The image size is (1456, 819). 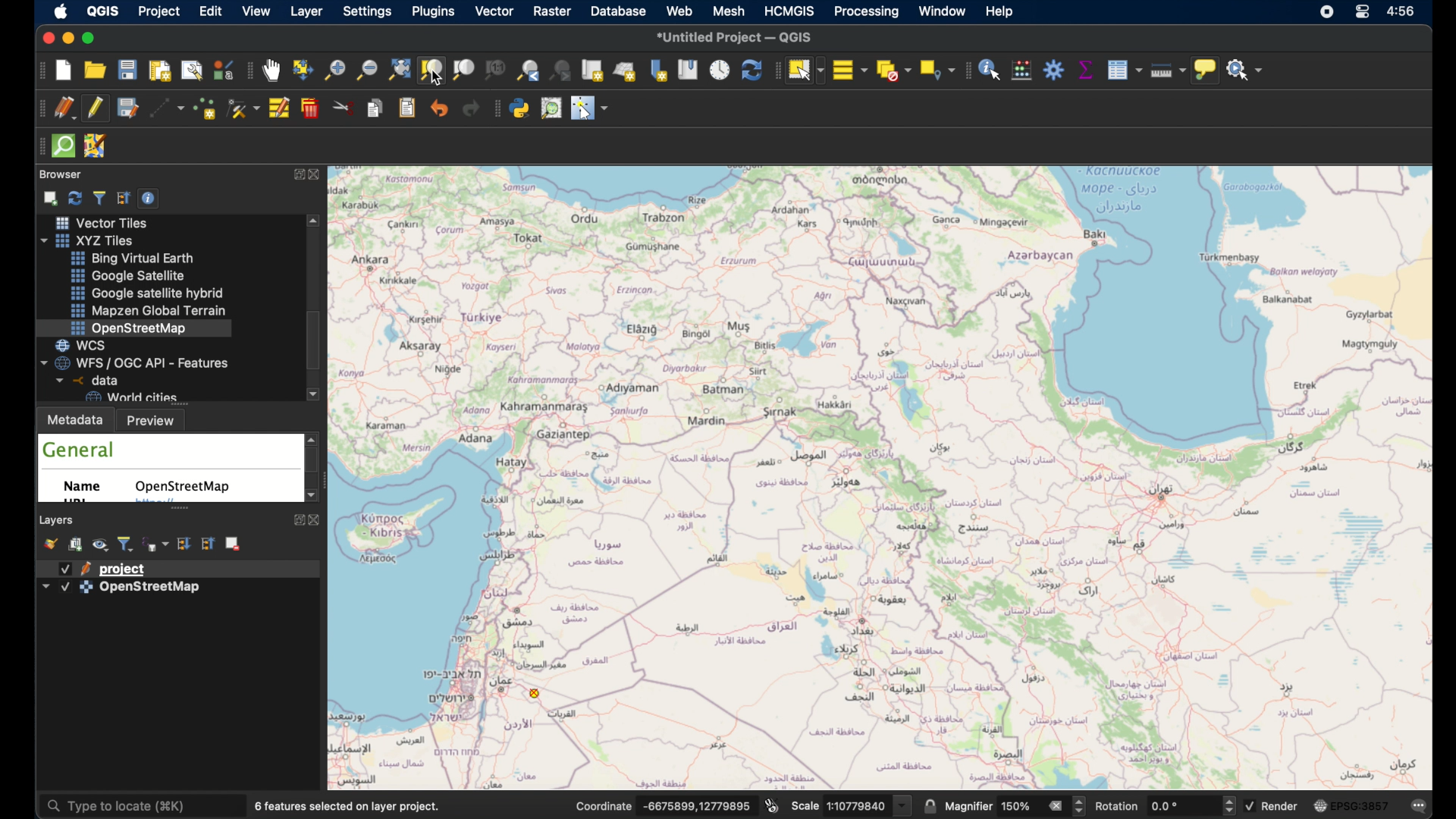 What do you see at coordinates (750, 70) in the screenshot?
I see `refresh` at bounding box center [750, 70].